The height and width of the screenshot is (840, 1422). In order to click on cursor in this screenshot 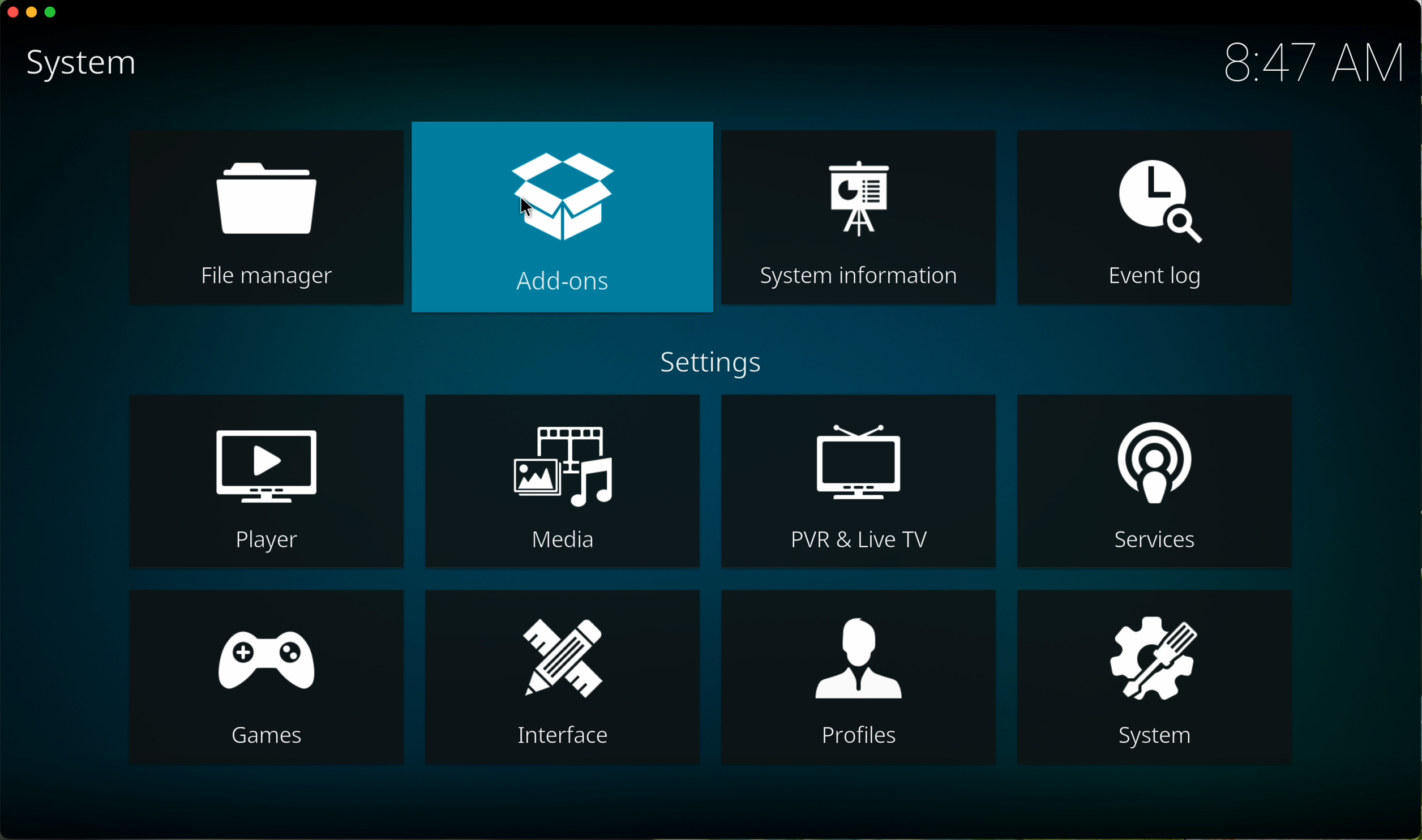, I will do `click(536, 207)`.